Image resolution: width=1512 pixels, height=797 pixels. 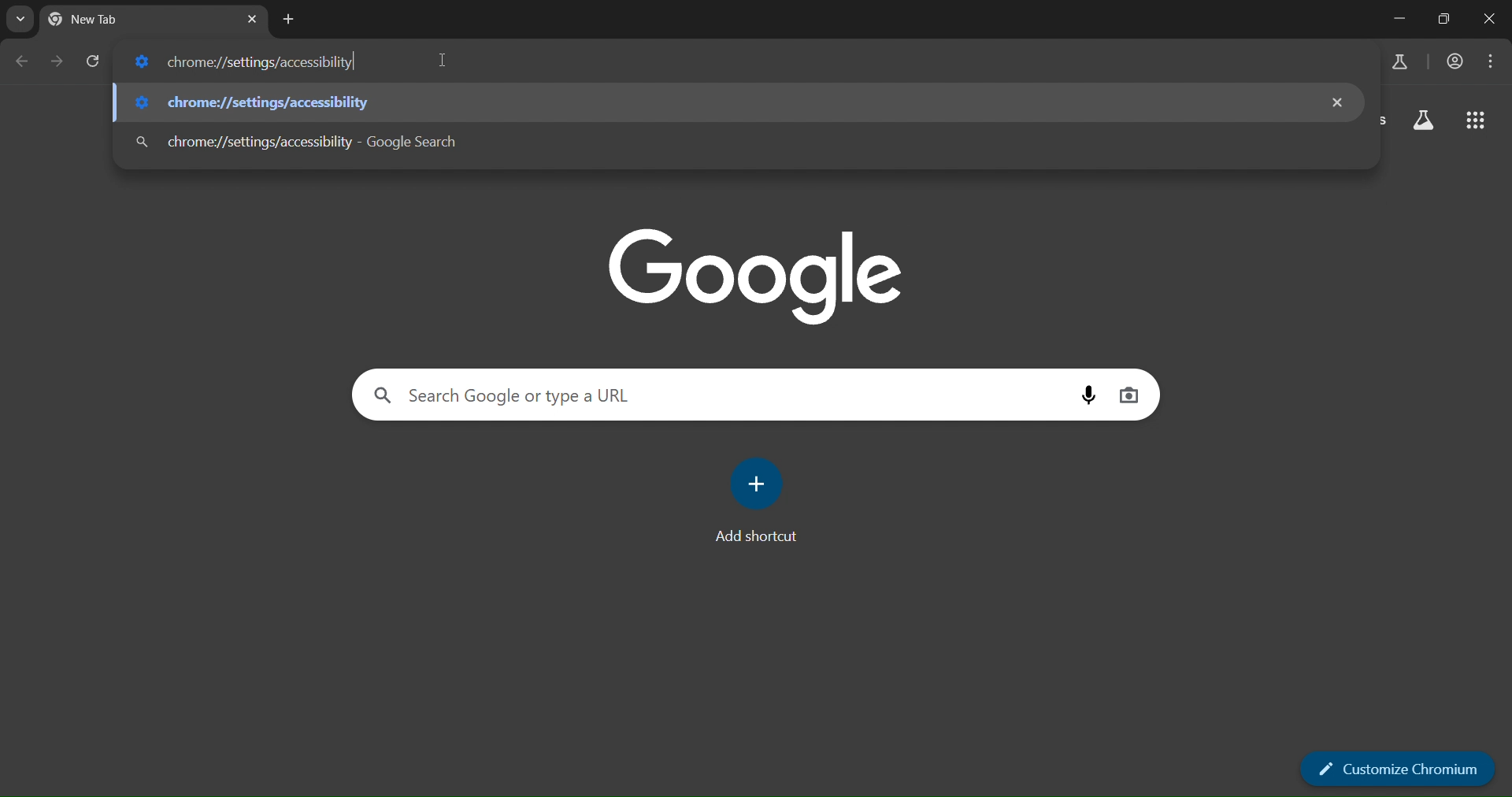 I want to click on reload page, so click(x=93, y=64).